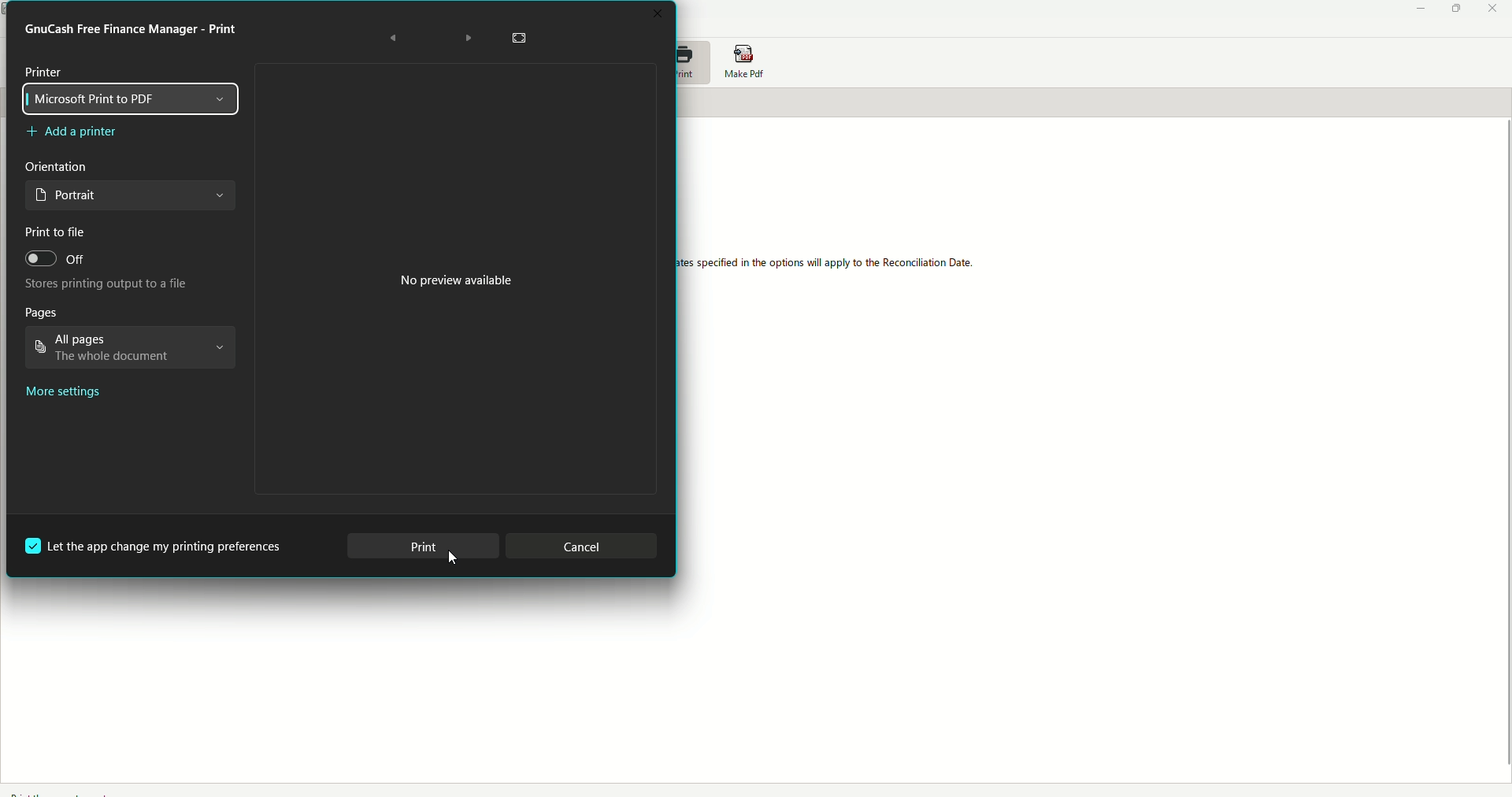 Image resolution: width=1512 pixels, height=797 pixels. What do you see at coordinates (697, 62) in the screenshot?
I see `Print` at bounding box center [697, 62].